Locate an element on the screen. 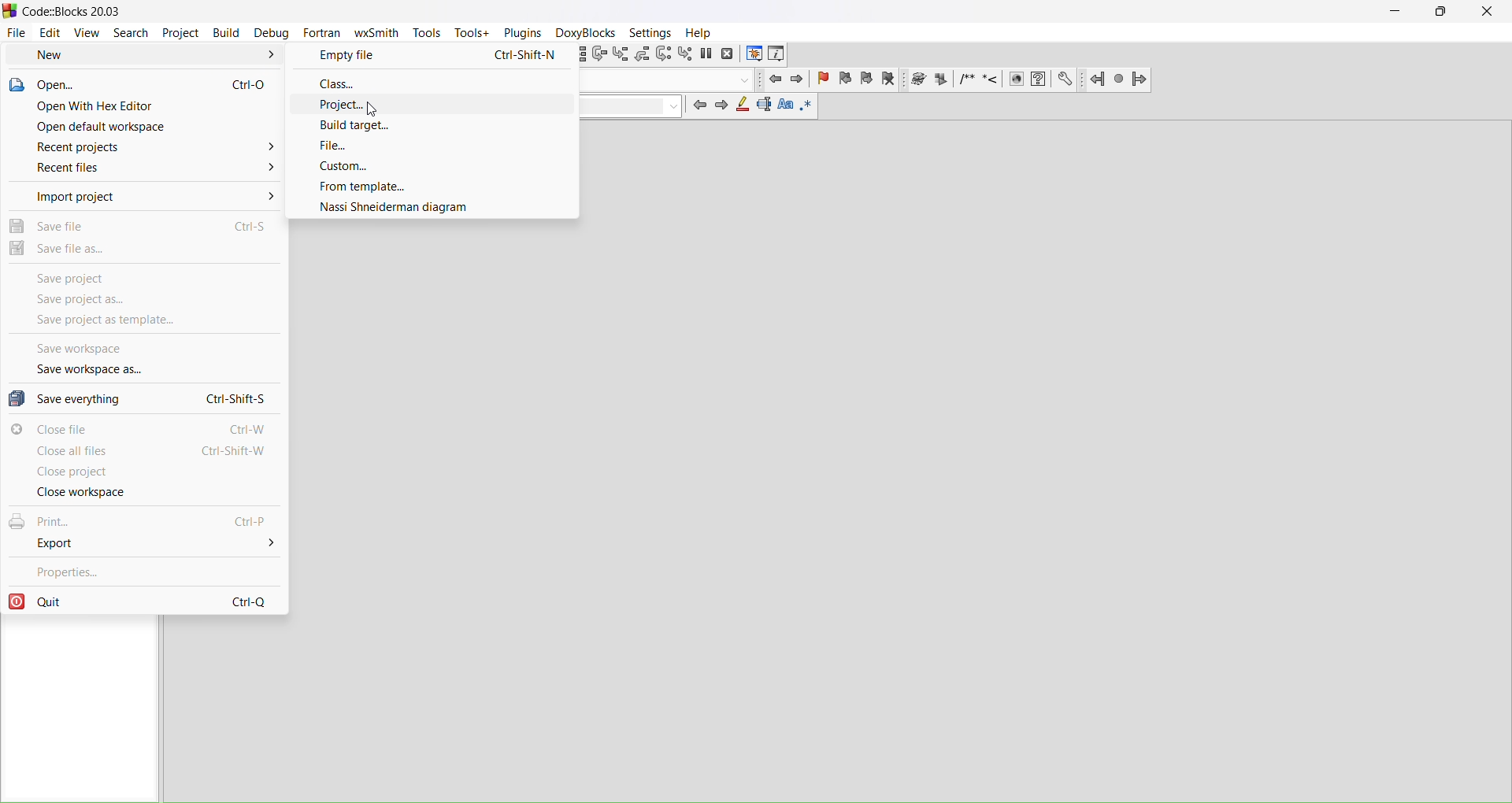 The width and height of the screenshot is (1512, 803). clear is located at coordinates (636, 107).